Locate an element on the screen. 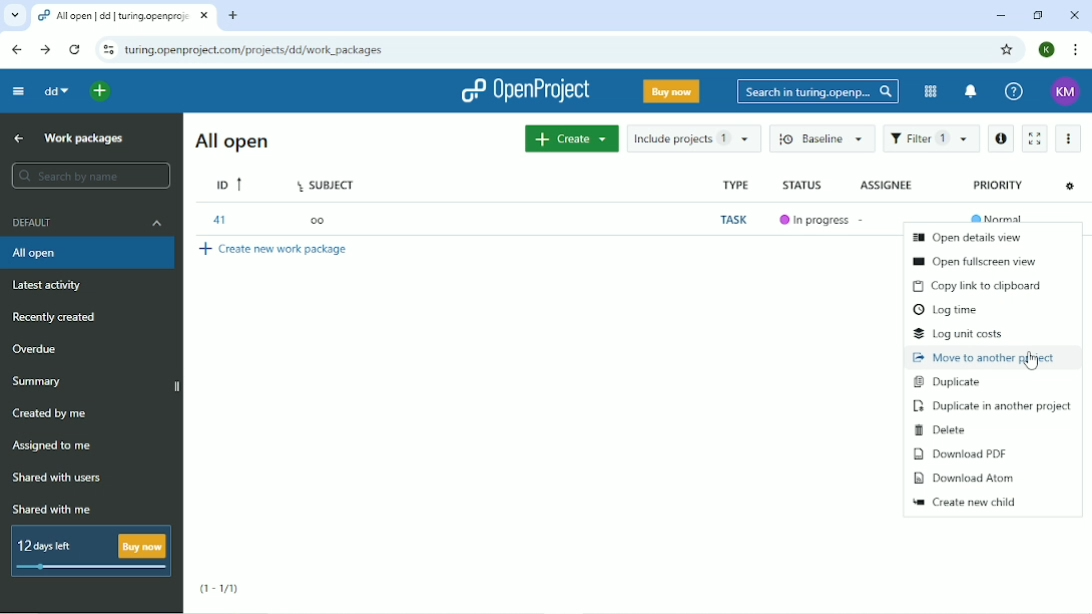 This screenshot has width=1092, height=614. Status is located at coordinates (803, 185).